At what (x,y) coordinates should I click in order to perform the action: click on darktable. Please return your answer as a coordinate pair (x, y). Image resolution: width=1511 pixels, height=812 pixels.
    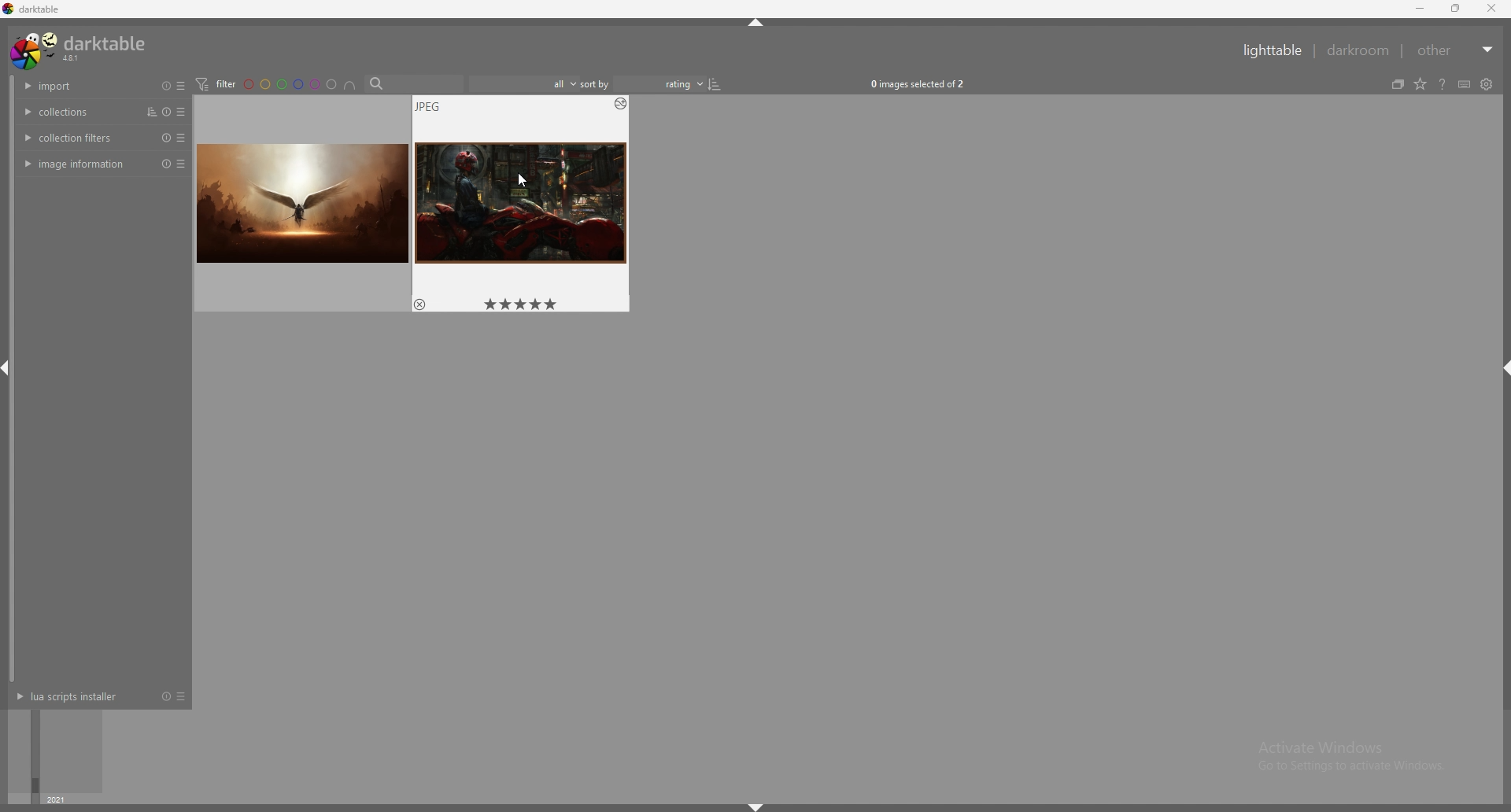
    Looking at the image, I should click on (32, 9).